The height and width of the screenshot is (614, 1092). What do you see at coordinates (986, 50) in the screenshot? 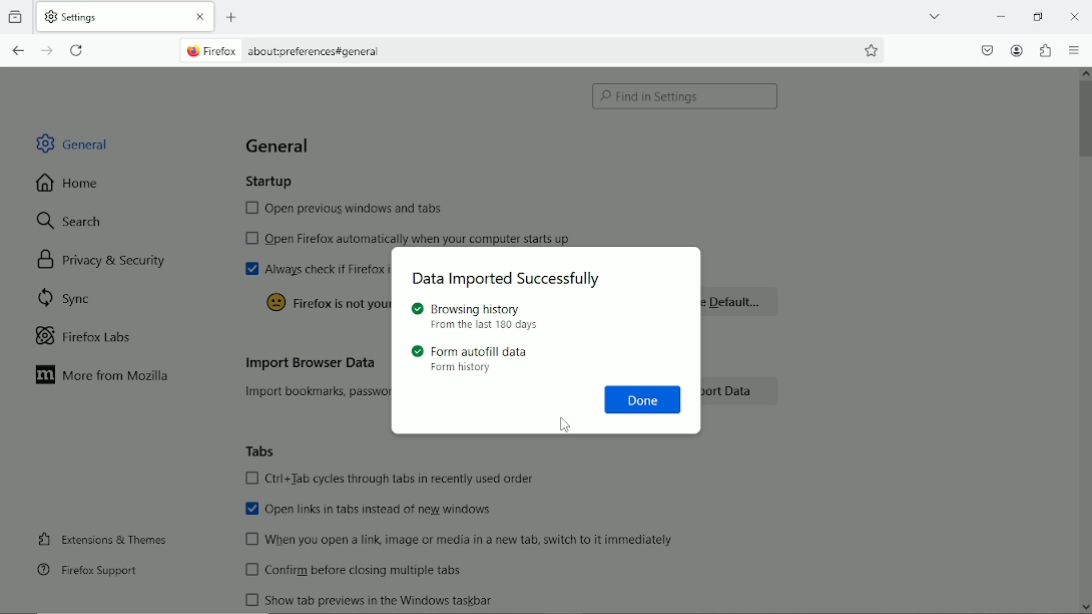
I see `Save to pocket` at bounding box center [986, 50].